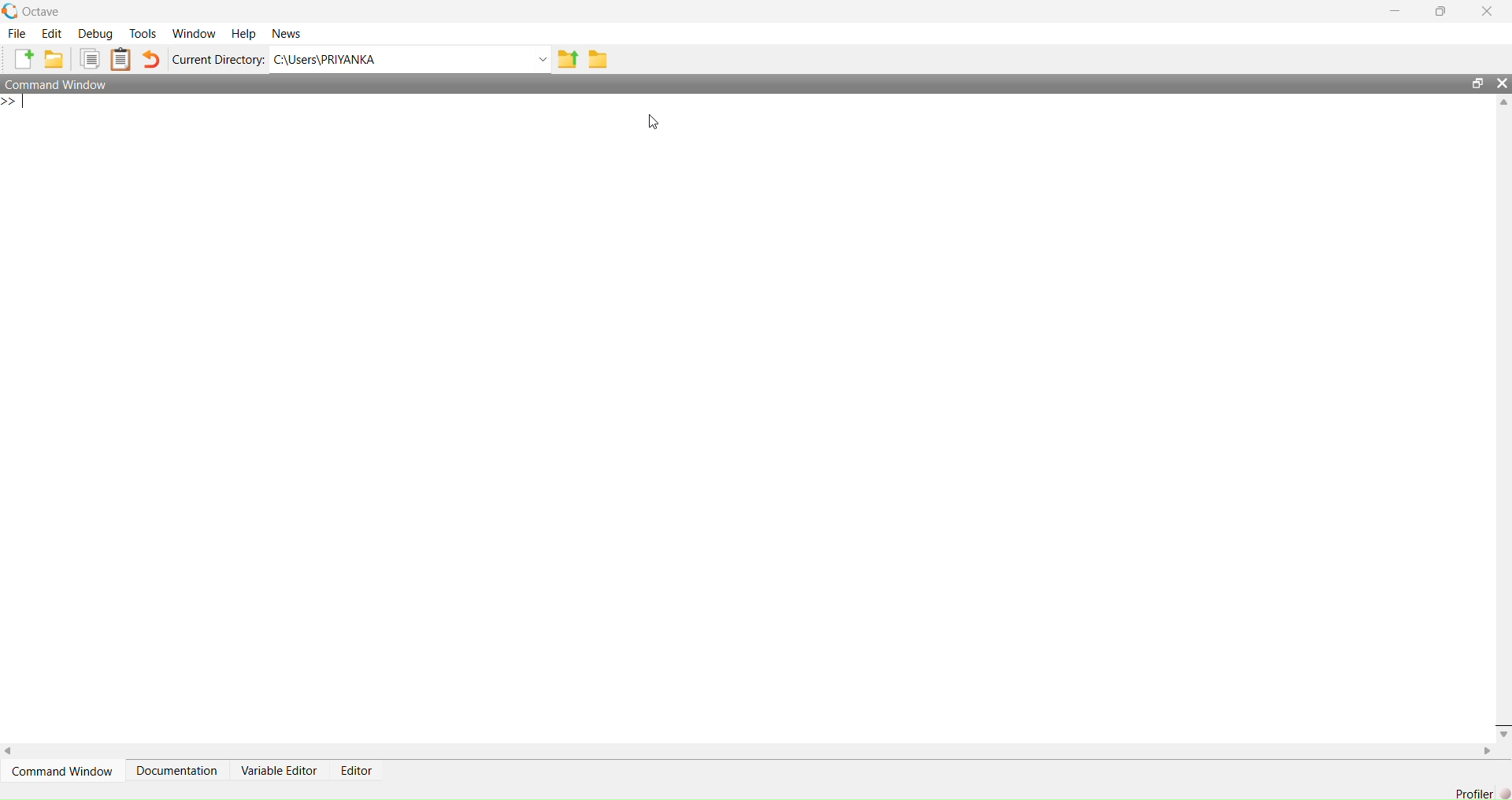 The height and width of the screenshot is (800, 1512). Describe the element at coordinates (362, 770) in the screenshot. I see `Editor` at that location.